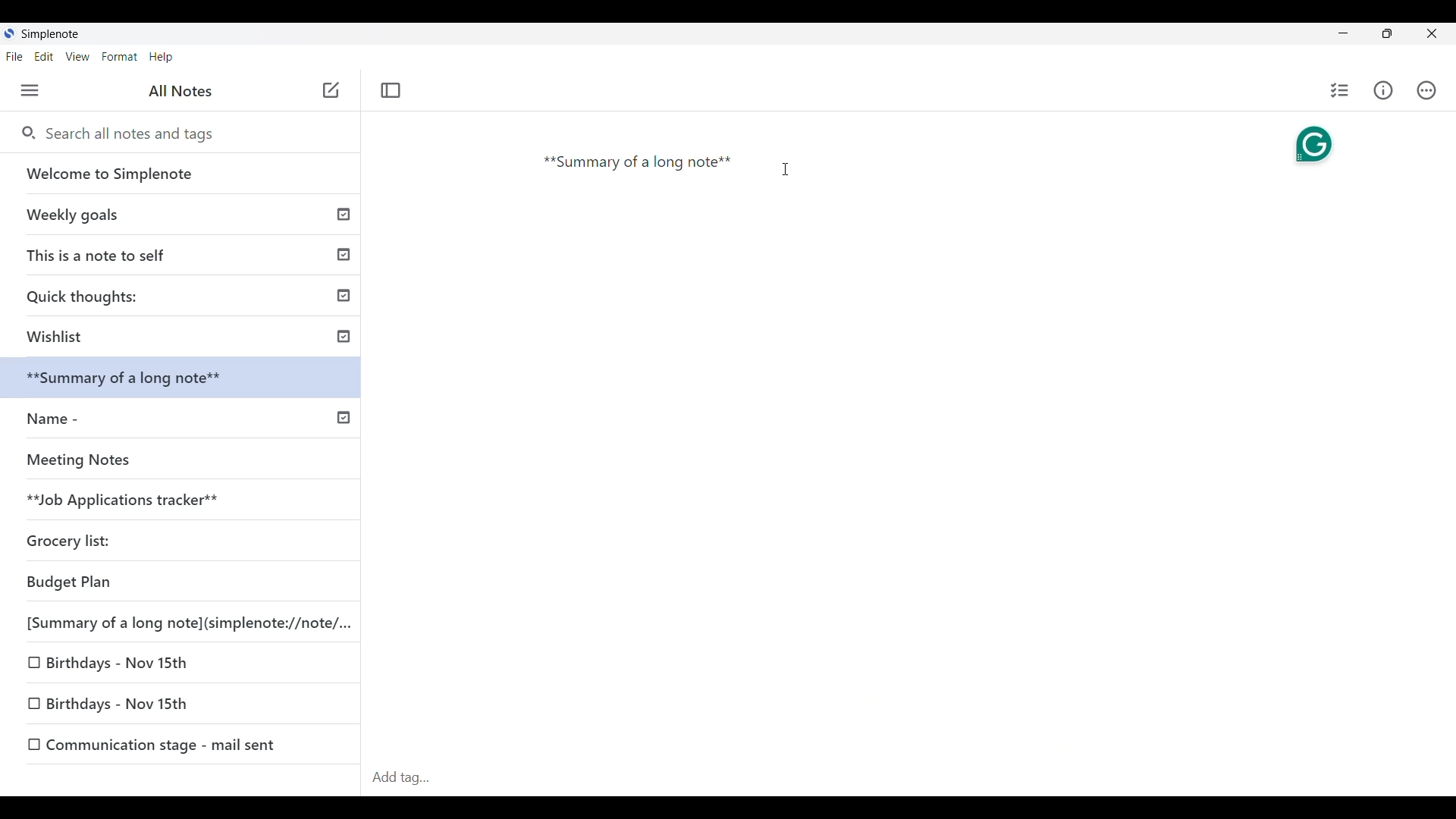 The height and width of the screenshot is (819, 1456). What do you see at coordinates (78, 57) in the screenshot?
I see `View ` at bounding box center [78, 57].